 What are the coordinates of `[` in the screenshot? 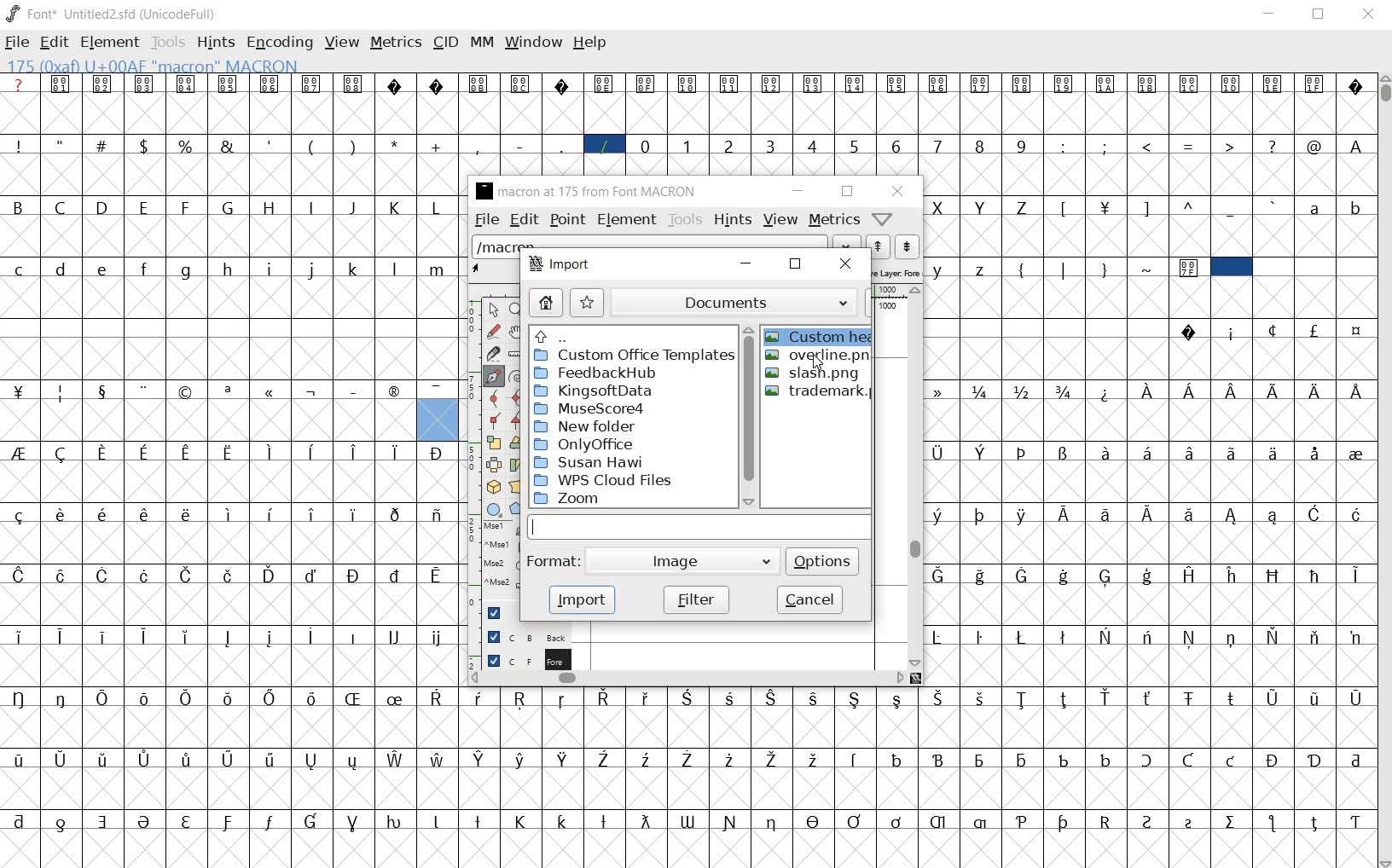 It's located at (1064, 207).